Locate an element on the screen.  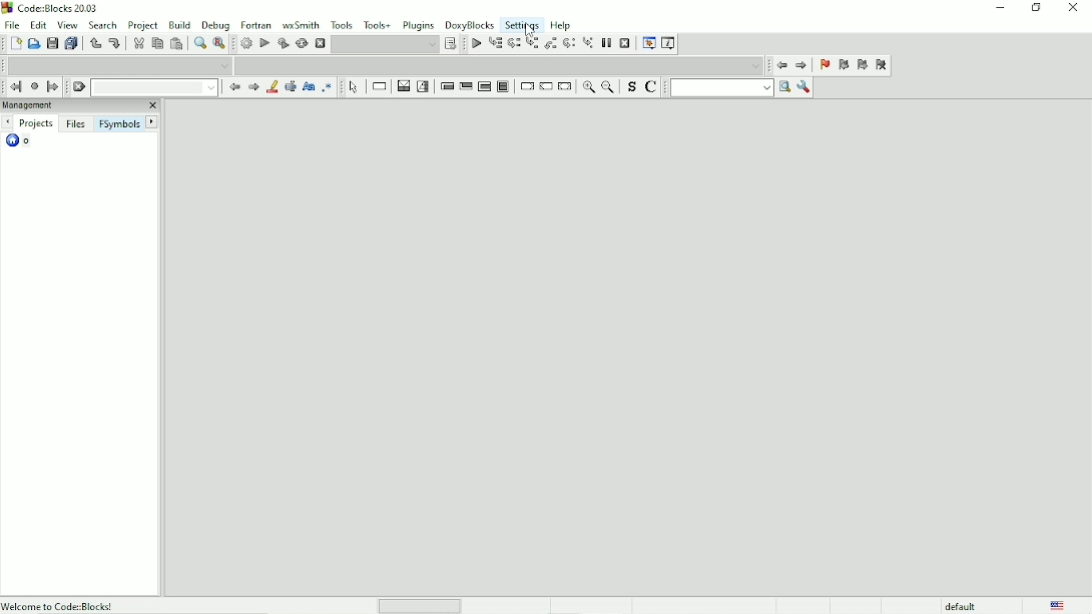
Open is located at coordinates (33, 43).